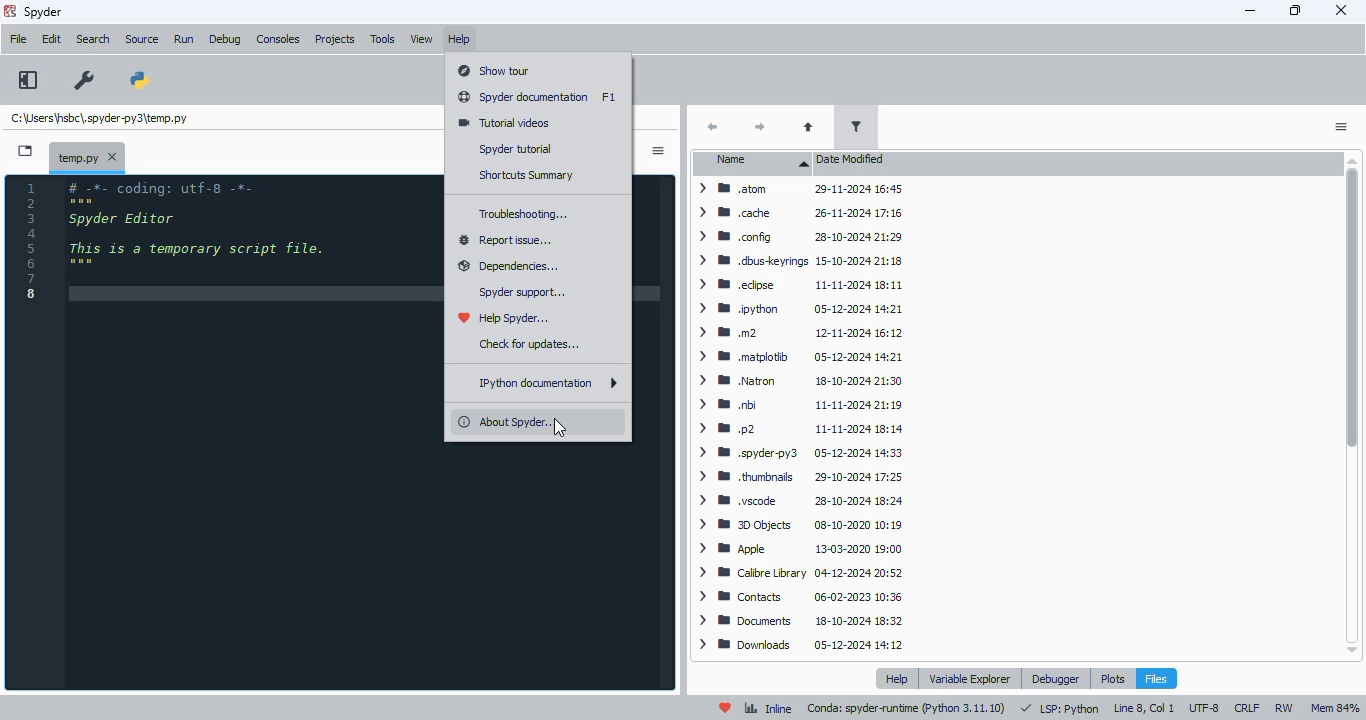  I want to click on > mm bi 11-11-2024 21:19, so click(797, 404).